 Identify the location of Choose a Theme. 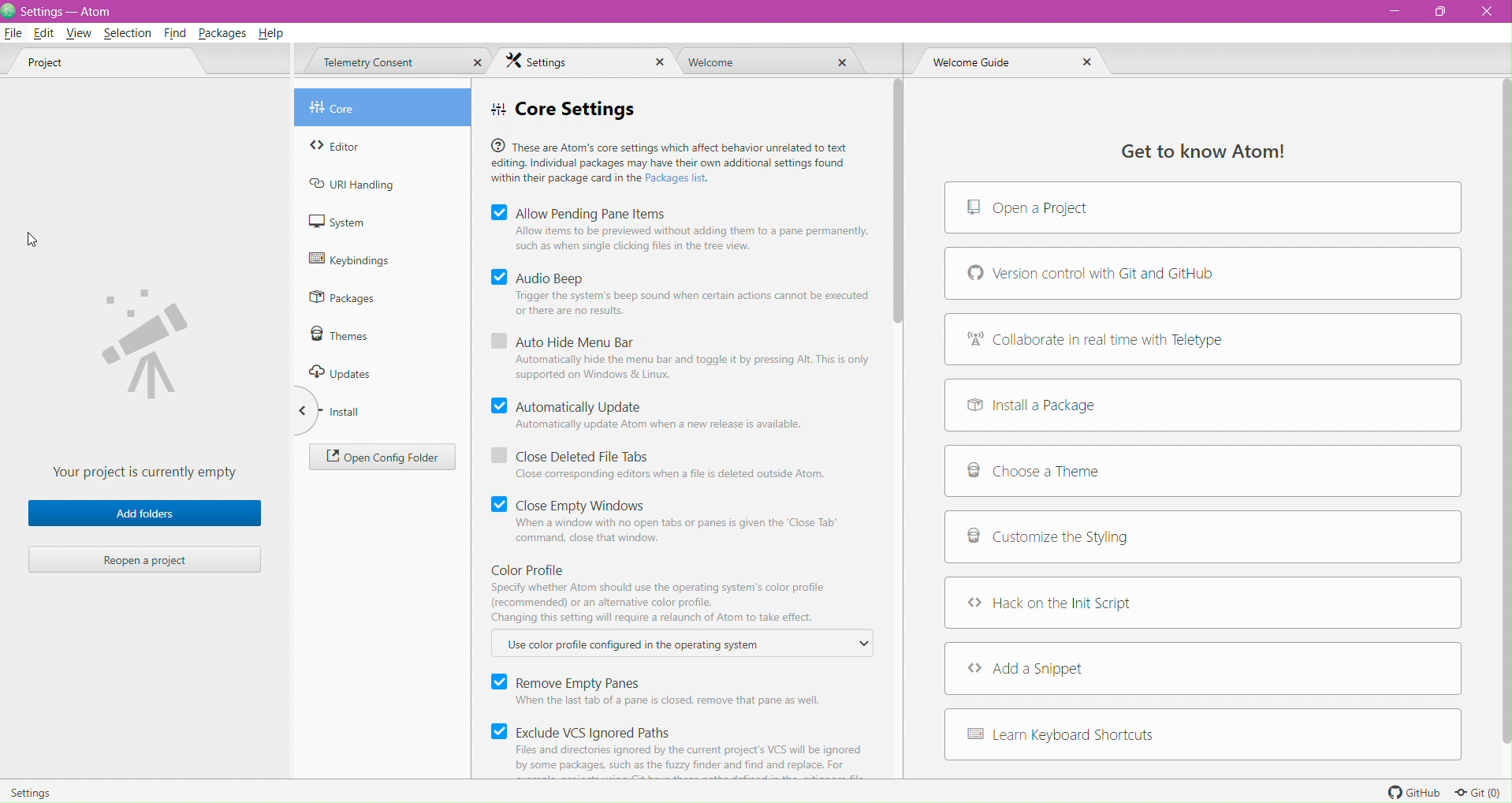
(1203, 472).